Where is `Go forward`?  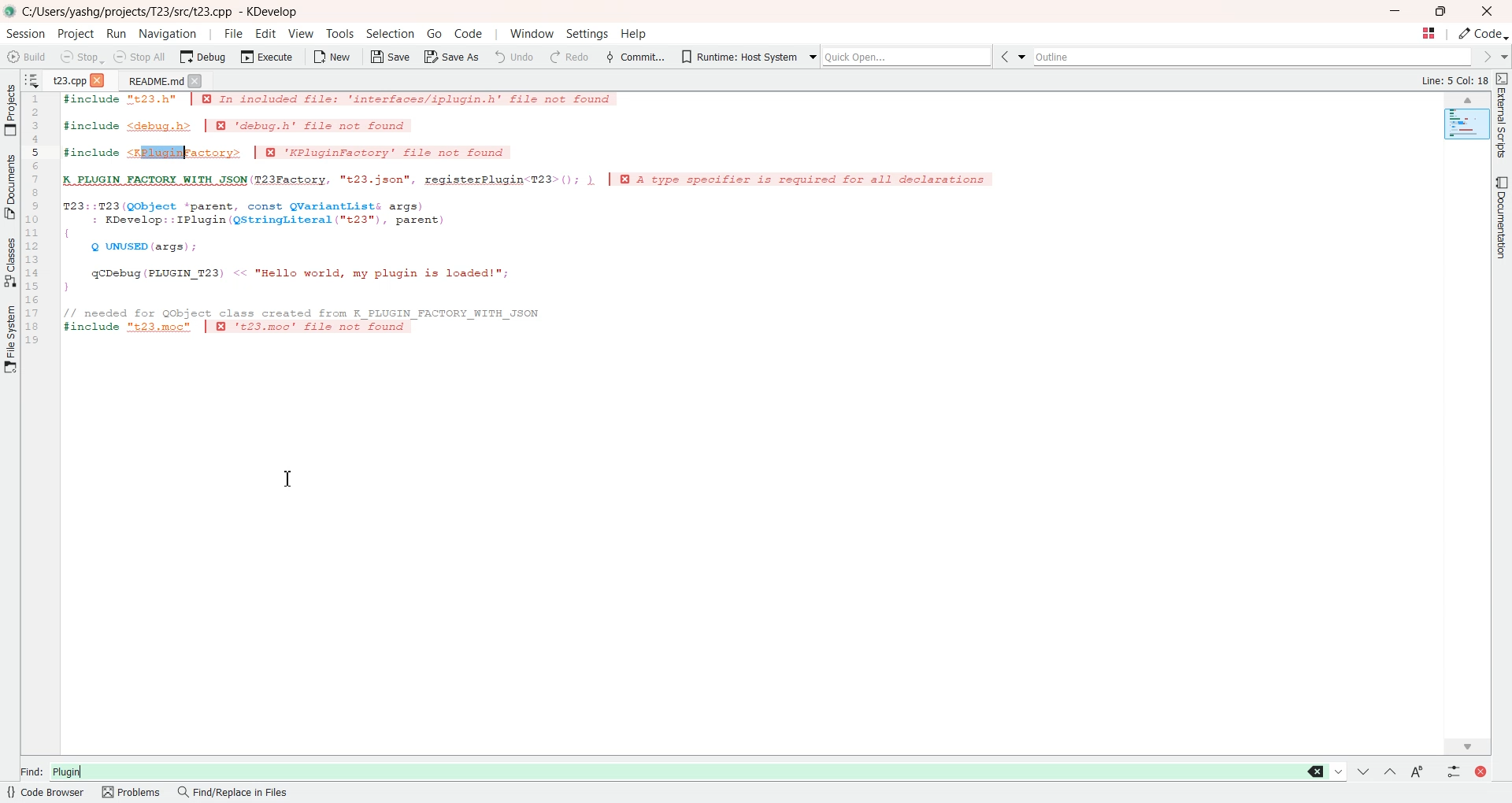
Go forward is located at coordinates (1485, 57).